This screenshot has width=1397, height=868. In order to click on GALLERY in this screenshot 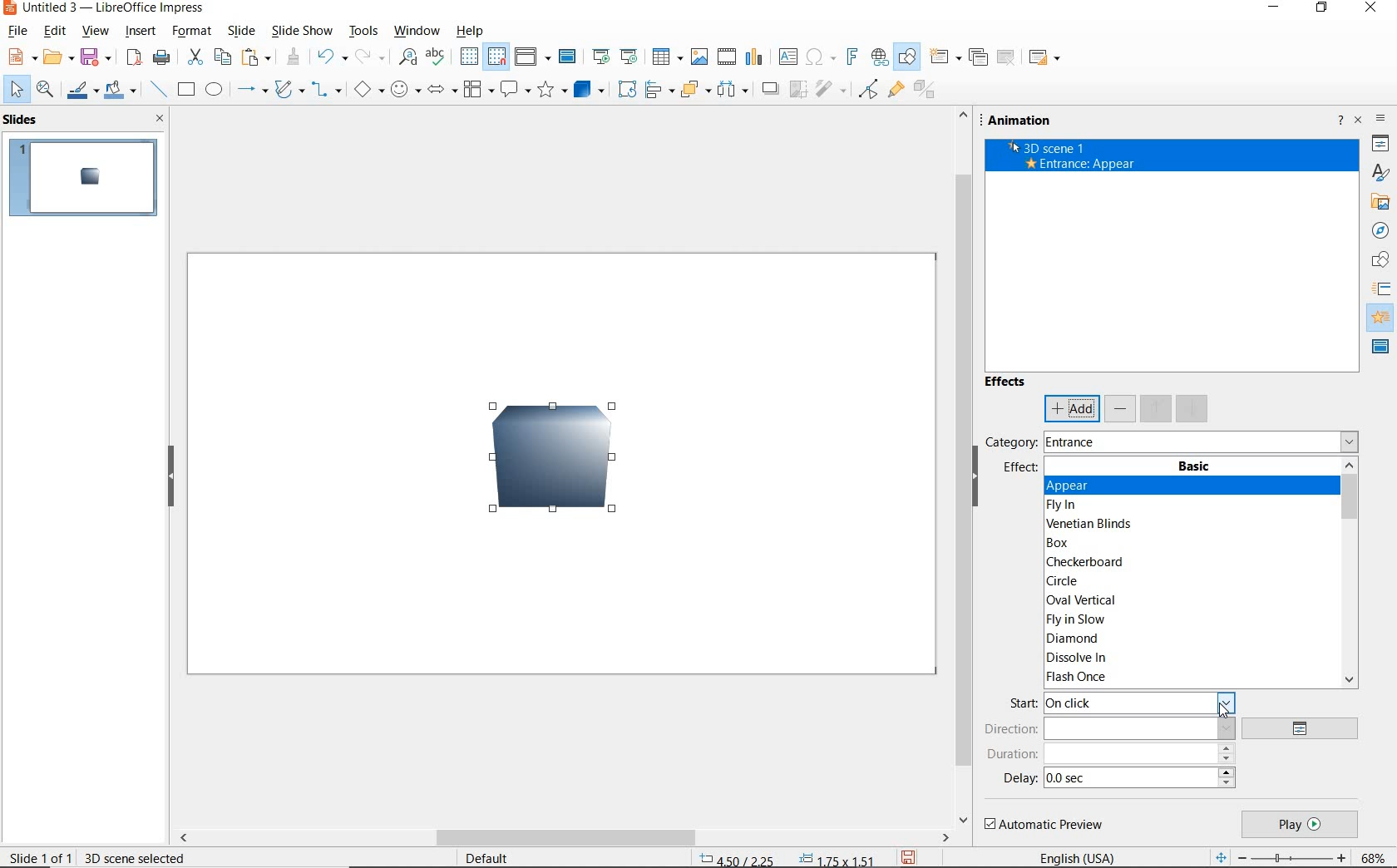, I will do `click(1380, 204)`.